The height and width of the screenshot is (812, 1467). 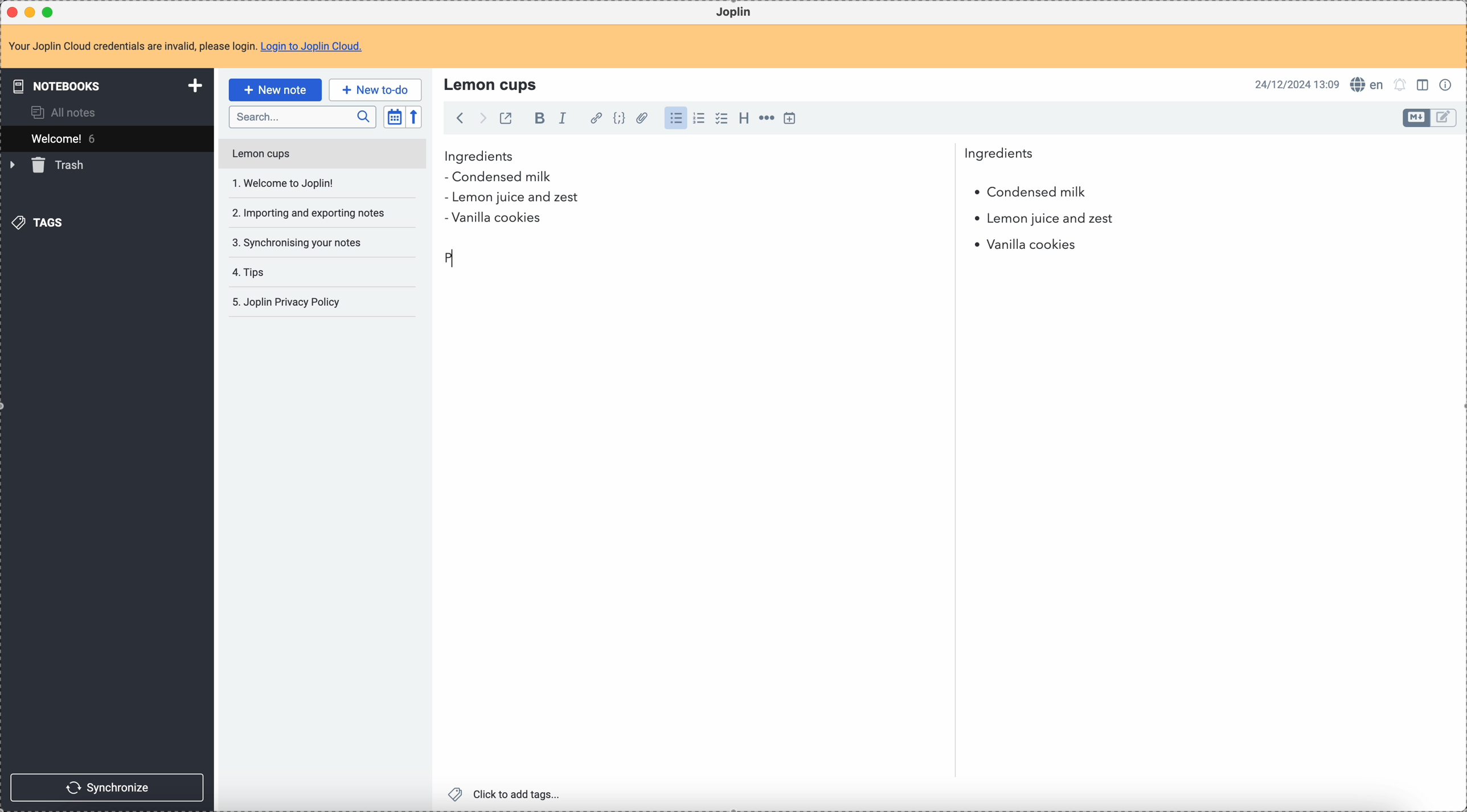 What do you see at coordinates (789, 118) in the screenshot?
I see `insert time` at bounding box center [789, 118].